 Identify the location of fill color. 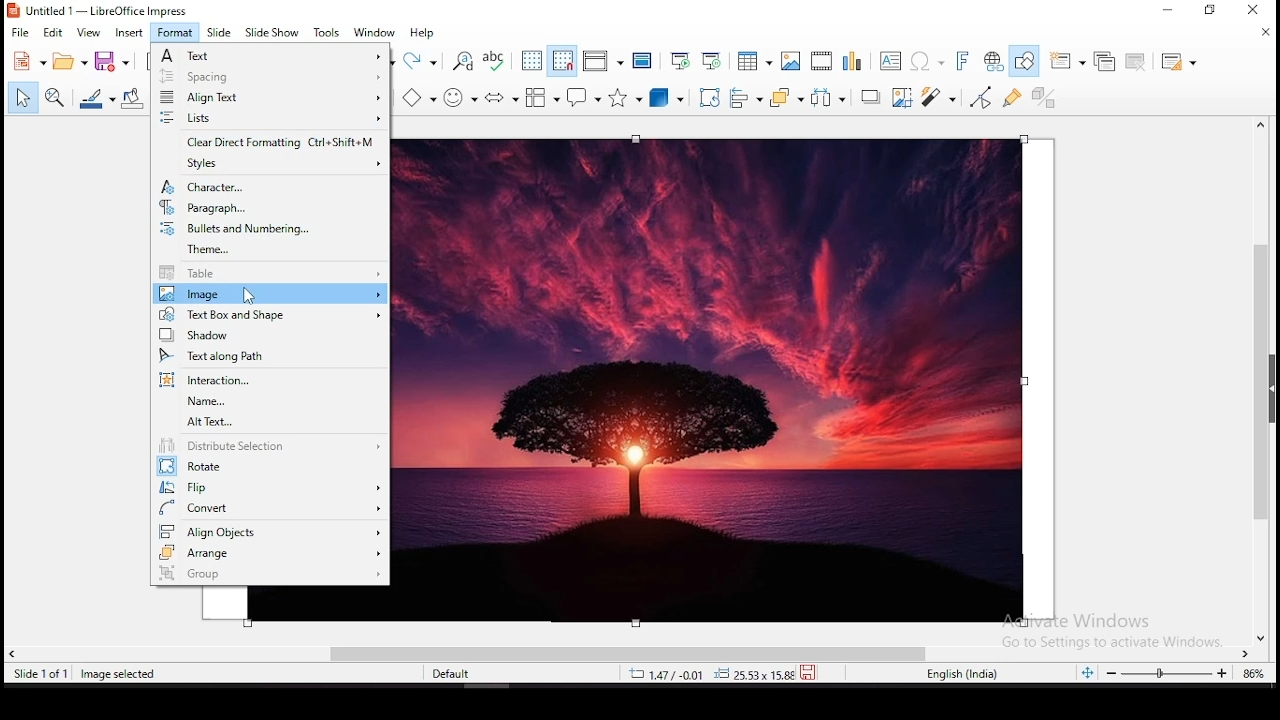
(132, 97).